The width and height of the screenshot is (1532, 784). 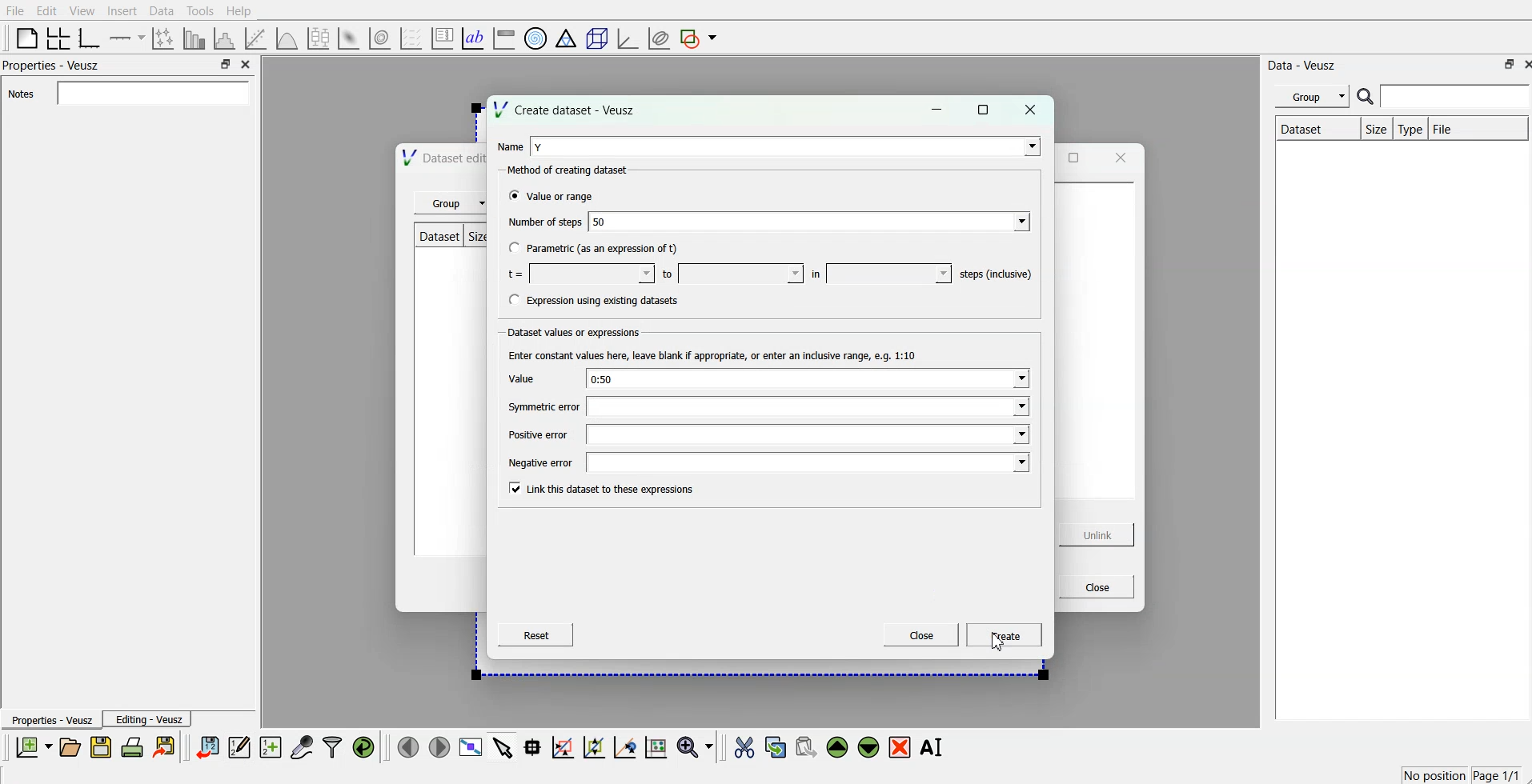 What do you see at coordinates (1432, 777) in the screenshot?
I see `No position` at bounding box center [1432, 777].